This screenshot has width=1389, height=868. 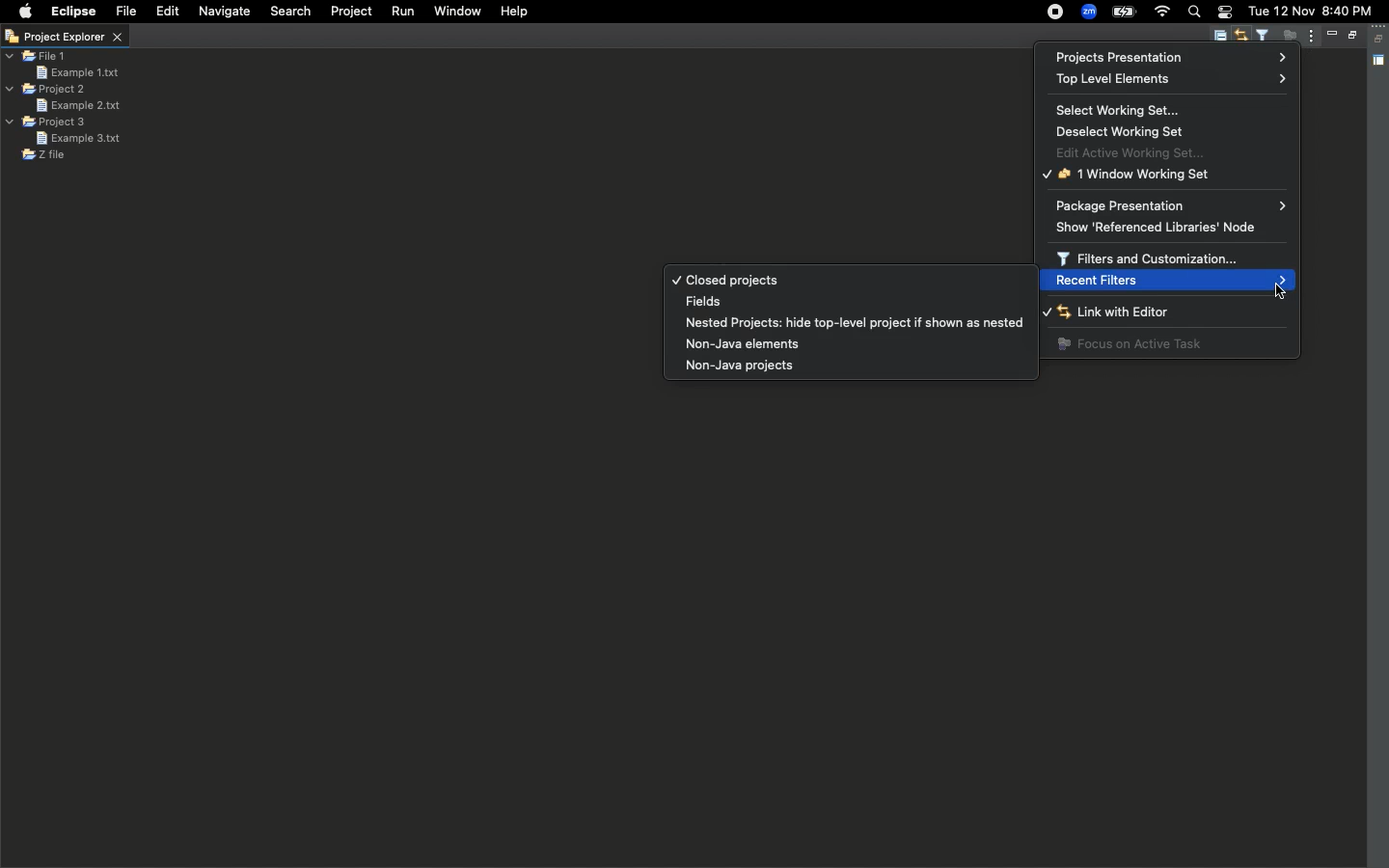 I want to click on Example 3 text file, so click(x=78, y=138).